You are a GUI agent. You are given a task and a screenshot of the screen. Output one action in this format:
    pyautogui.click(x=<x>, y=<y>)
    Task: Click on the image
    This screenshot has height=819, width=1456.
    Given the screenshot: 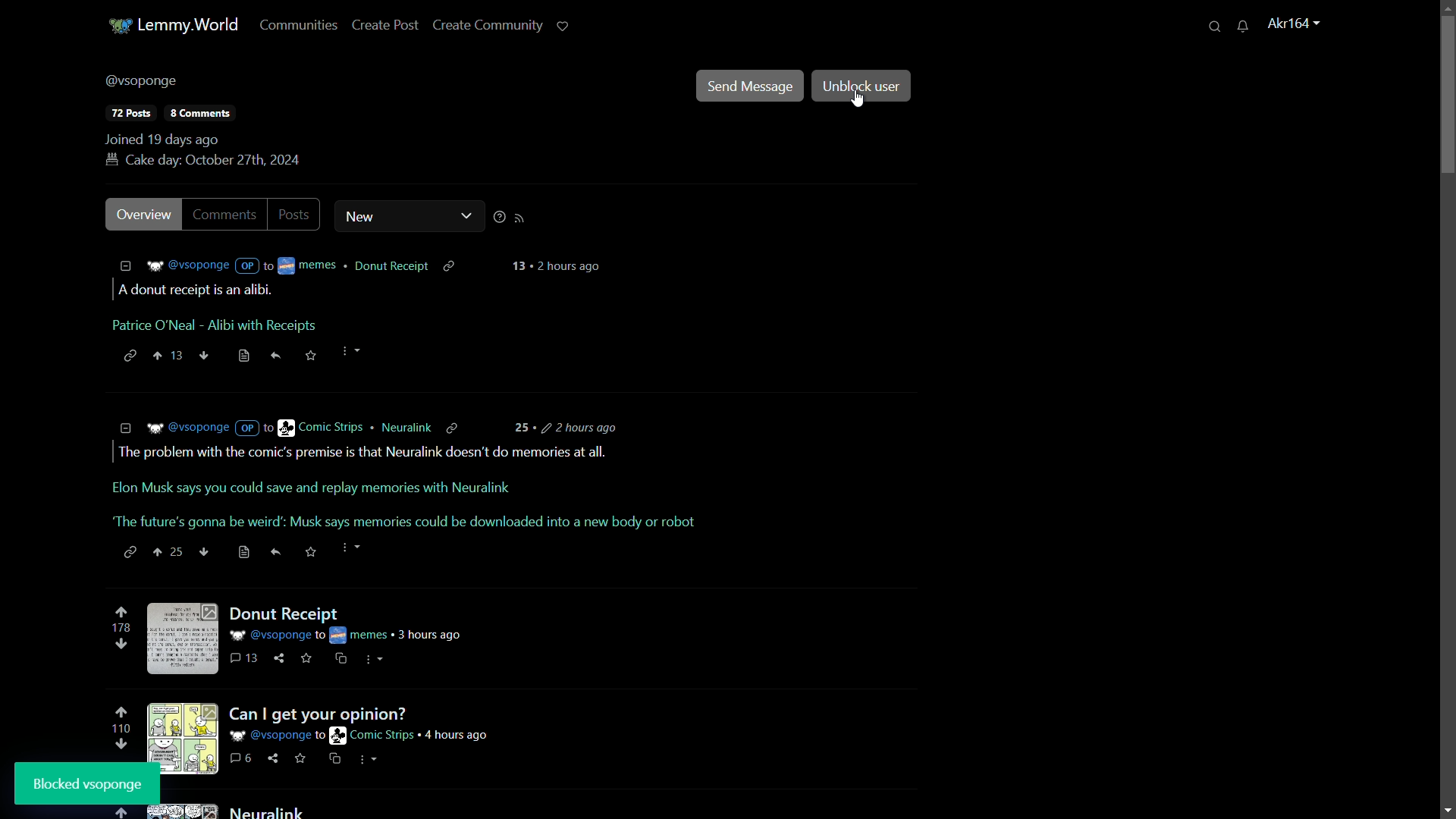 What is the action you would take?
    pyautogui.click(x=185, y=731)
    